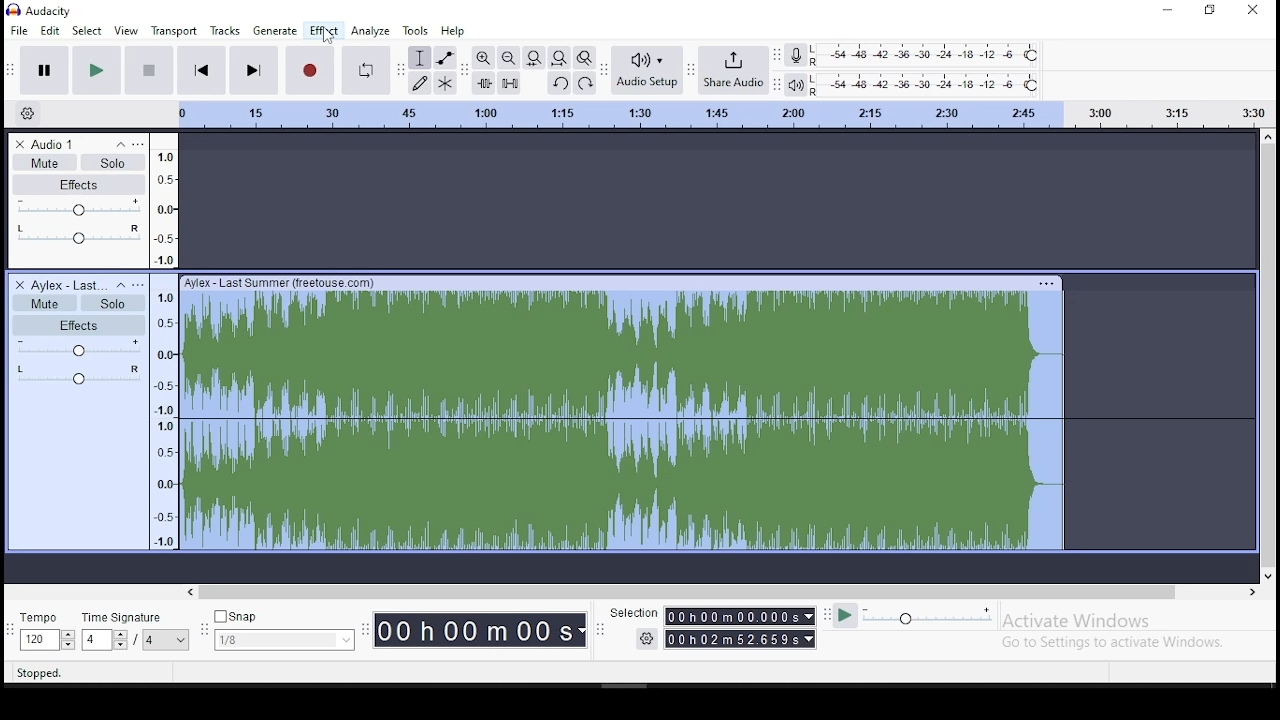 The width and height of the screenshot is (1280, 720). Describe the element at coordinates (46, 632) in the screenshot. I see `tempo` at that location.